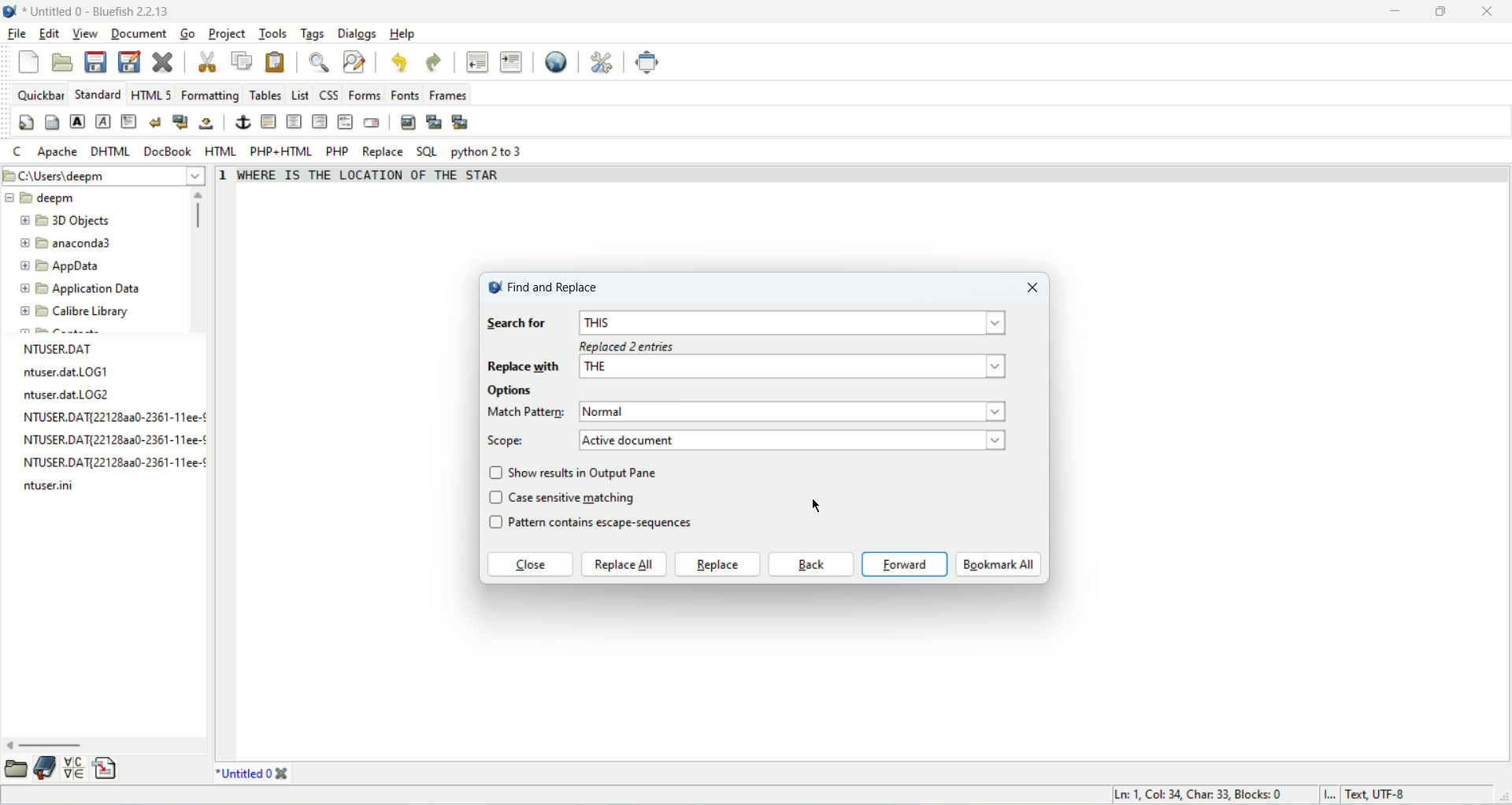 Image resolution: width=1512 pixels, height=805 pixels. Describe the element at coordinates (113, 465) in the screenshot. I see `file name` at that location.